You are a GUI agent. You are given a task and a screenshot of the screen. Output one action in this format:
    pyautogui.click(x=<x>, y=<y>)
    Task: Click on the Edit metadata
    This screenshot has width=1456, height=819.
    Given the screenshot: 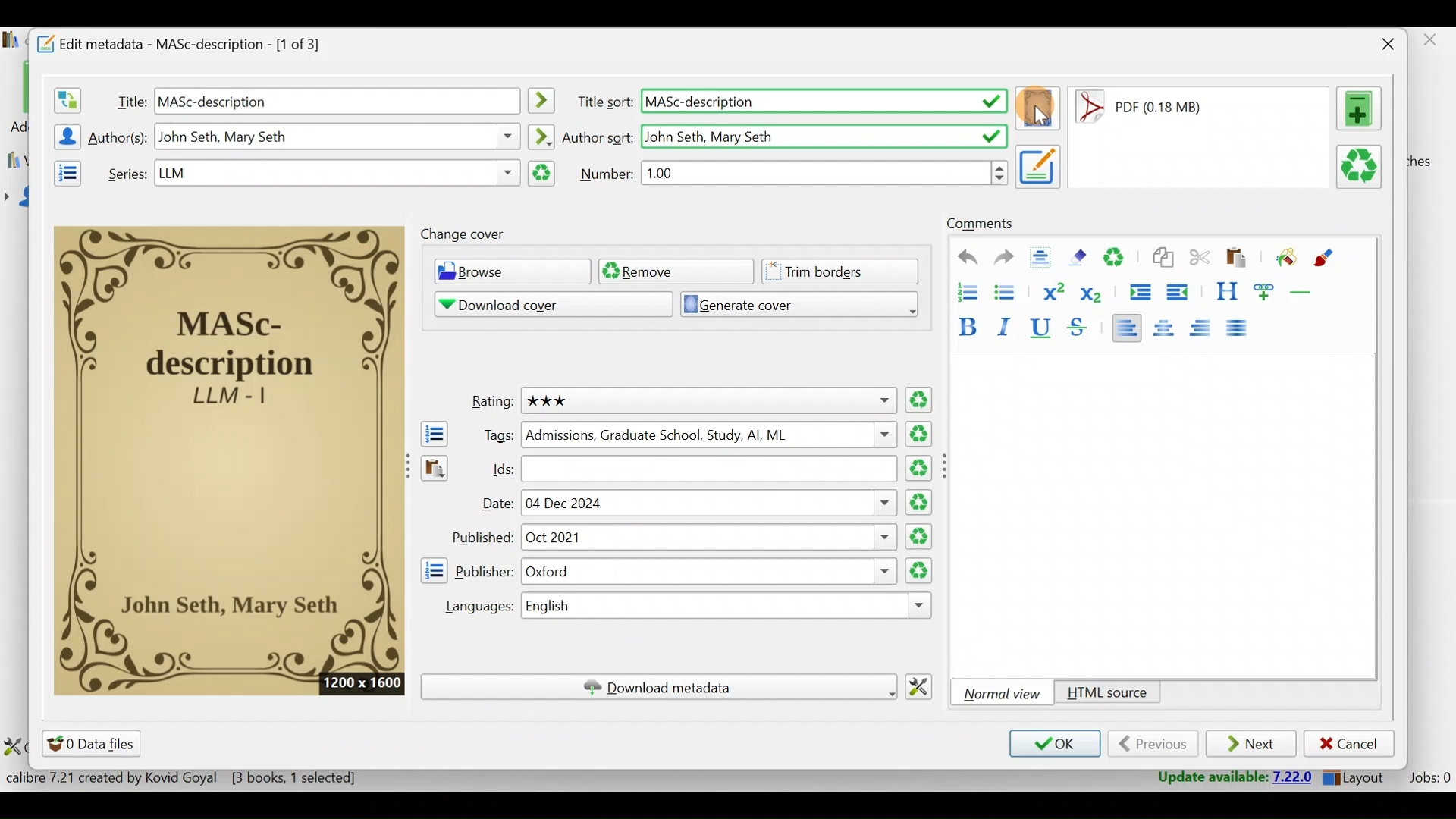 What is the action you would take?
    pyautogui.click(x=194, y=42)
    